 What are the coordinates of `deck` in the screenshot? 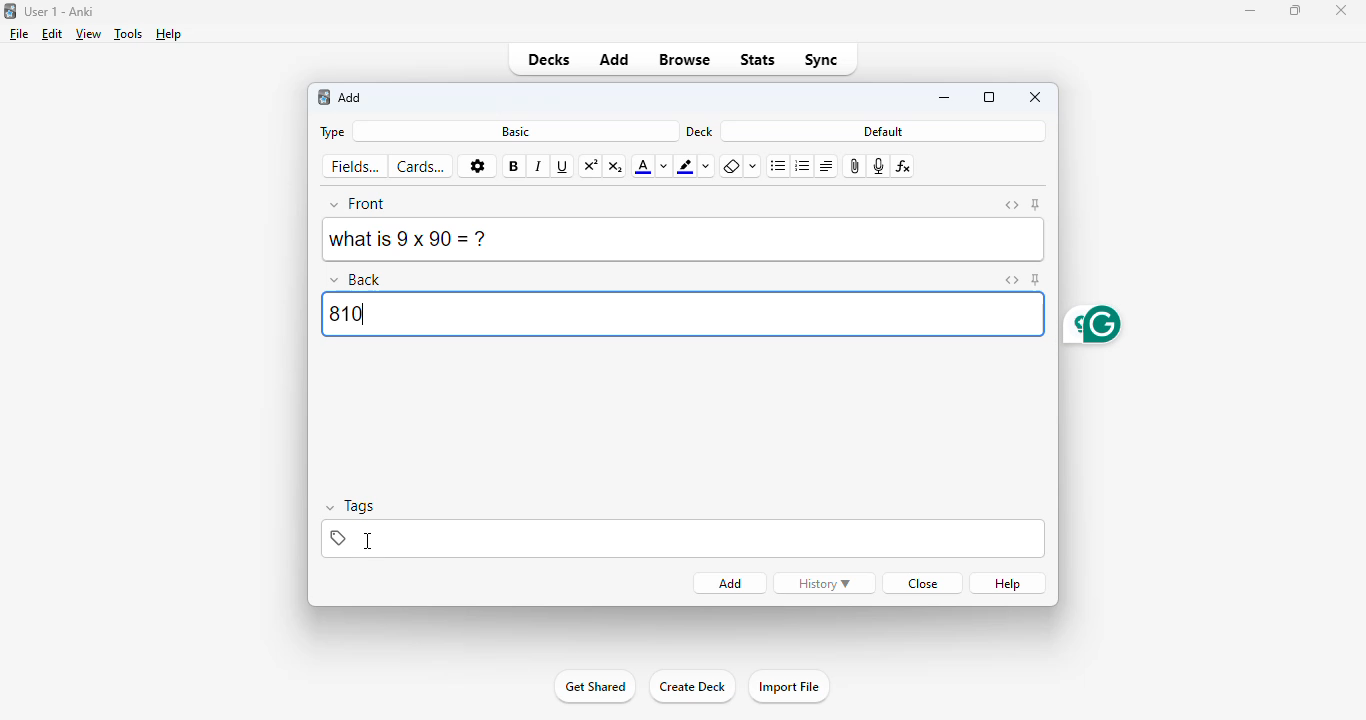 It's located at (700, 131).